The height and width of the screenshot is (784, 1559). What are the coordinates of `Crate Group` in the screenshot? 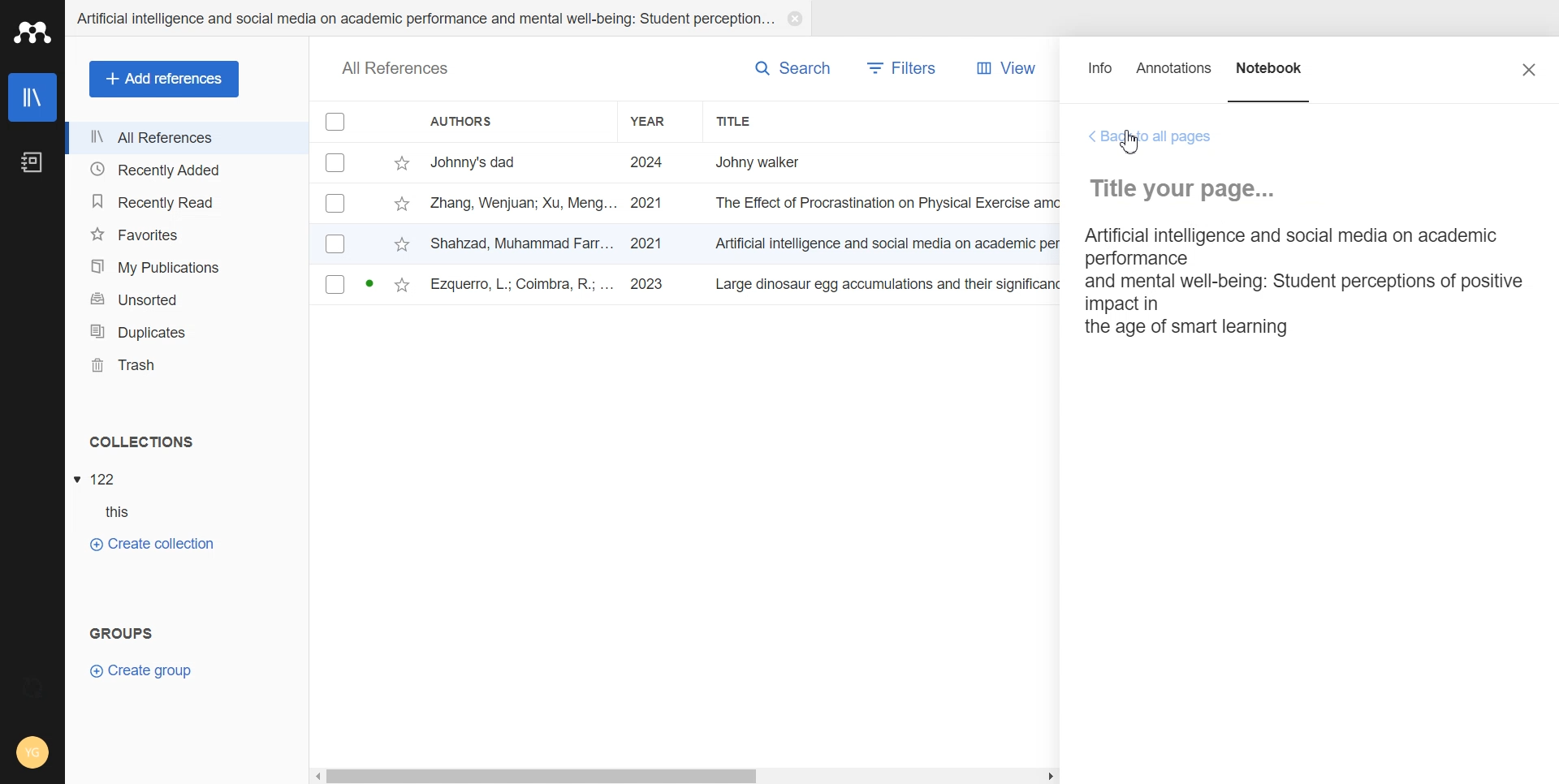 It's located at (141, 670).